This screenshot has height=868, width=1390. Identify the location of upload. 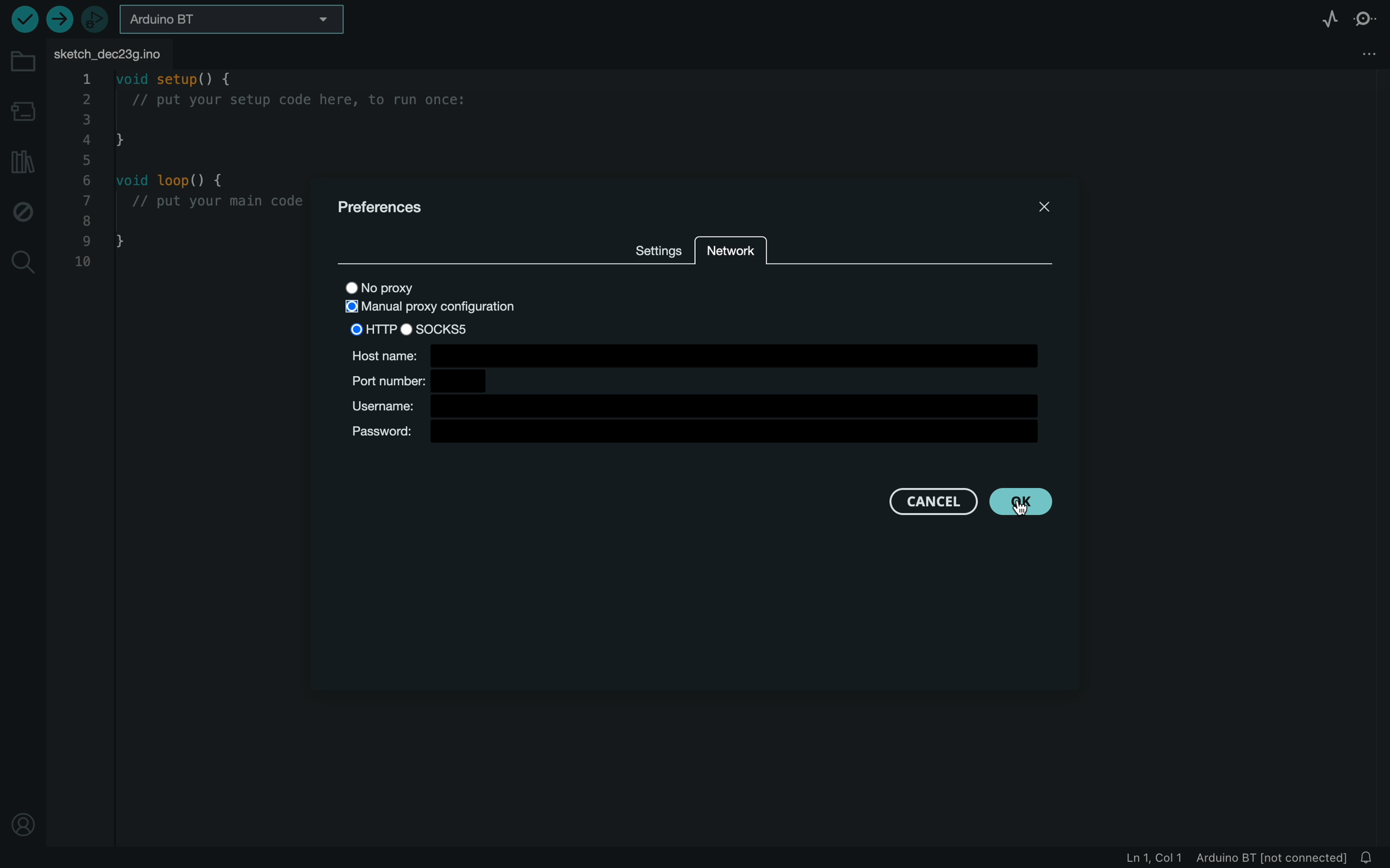
(59, 18).